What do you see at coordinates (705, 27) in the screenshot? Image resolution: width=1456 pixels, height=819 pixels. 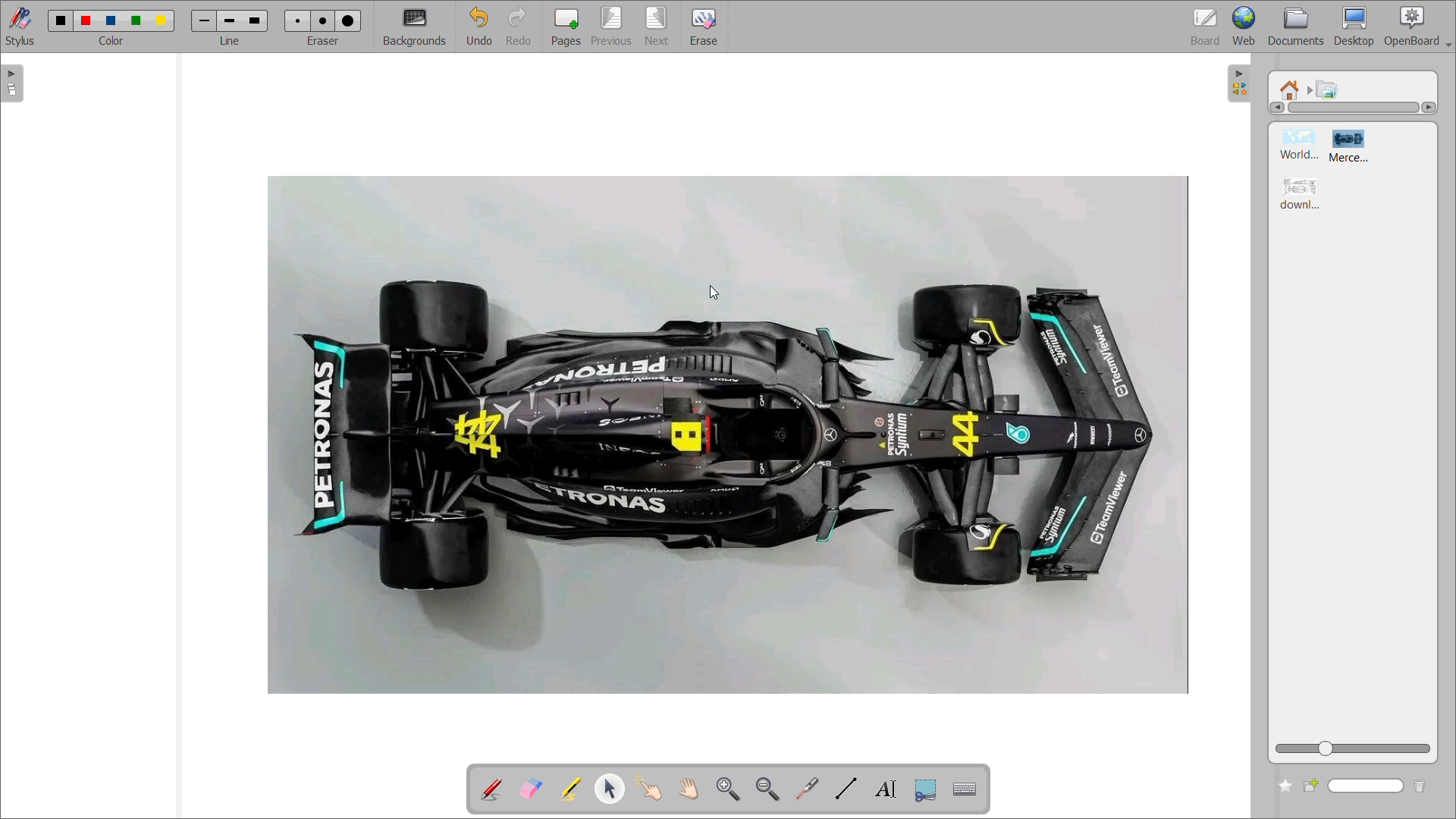 I see `erase` at bounding box center [705, 27].